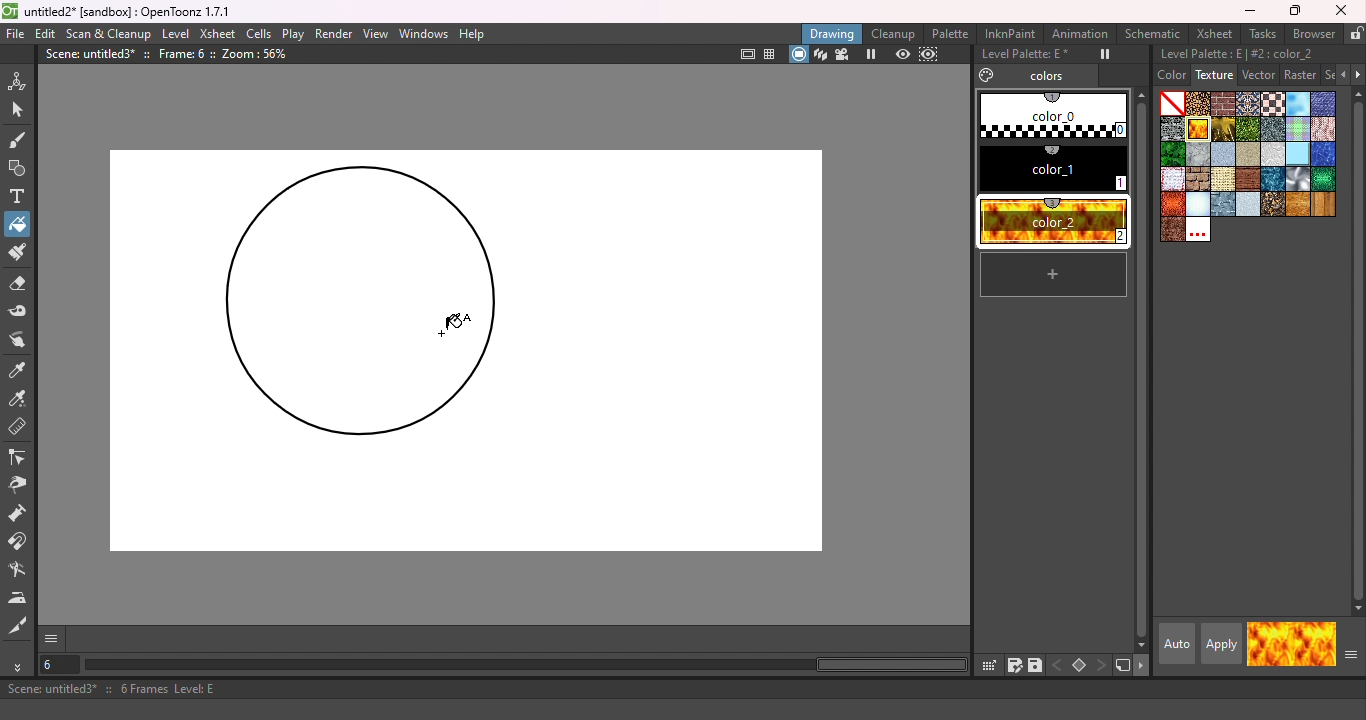 The image size is (1366, 720). What do you see at coordinates (20, 571) in the screenshot?
I see `Blender tool` at bounding box center [20, 571].